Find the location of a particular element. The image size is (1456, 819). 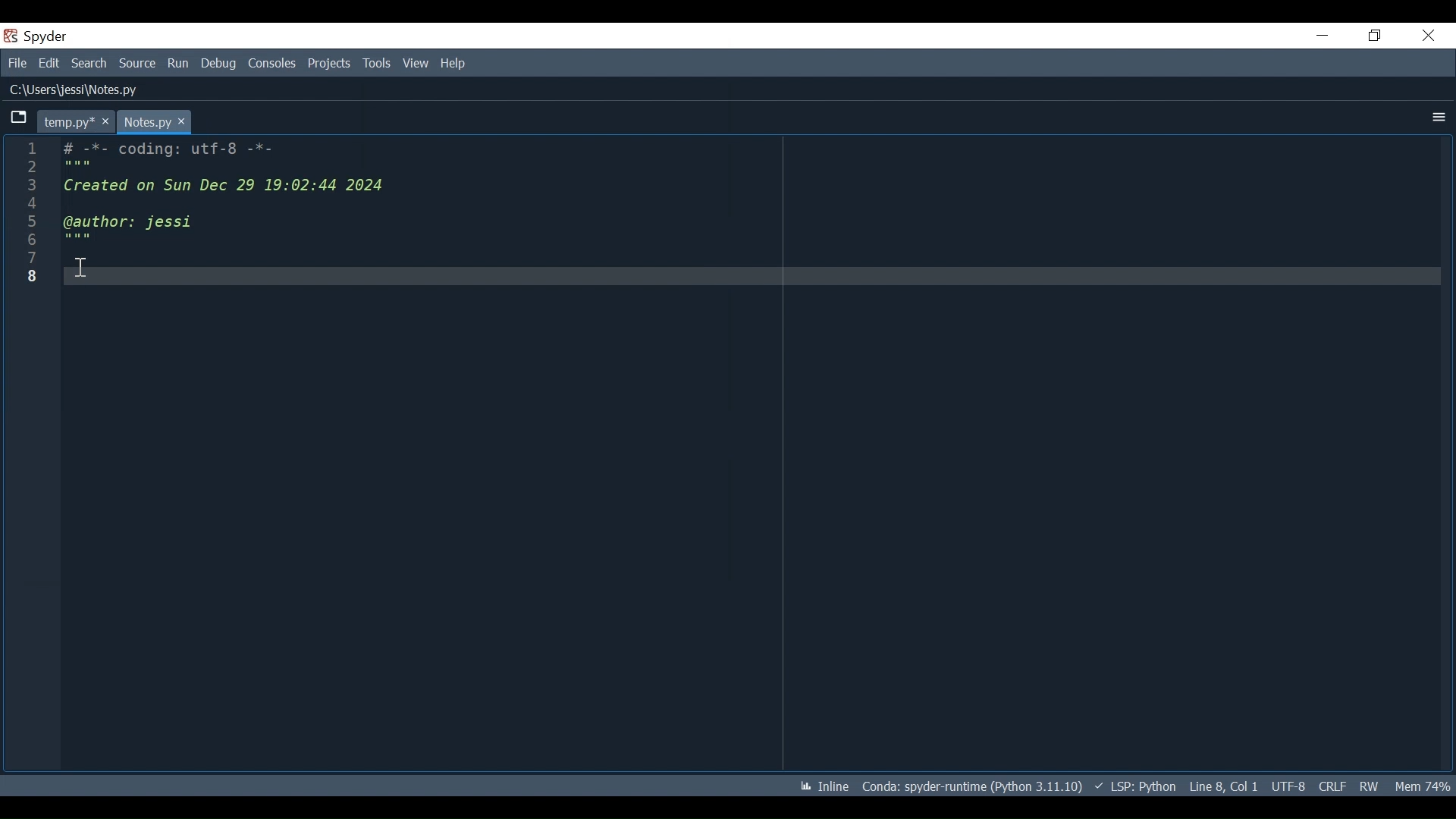

1 2 3 4 5 6 7 8 is located at coordinates (27, 216).